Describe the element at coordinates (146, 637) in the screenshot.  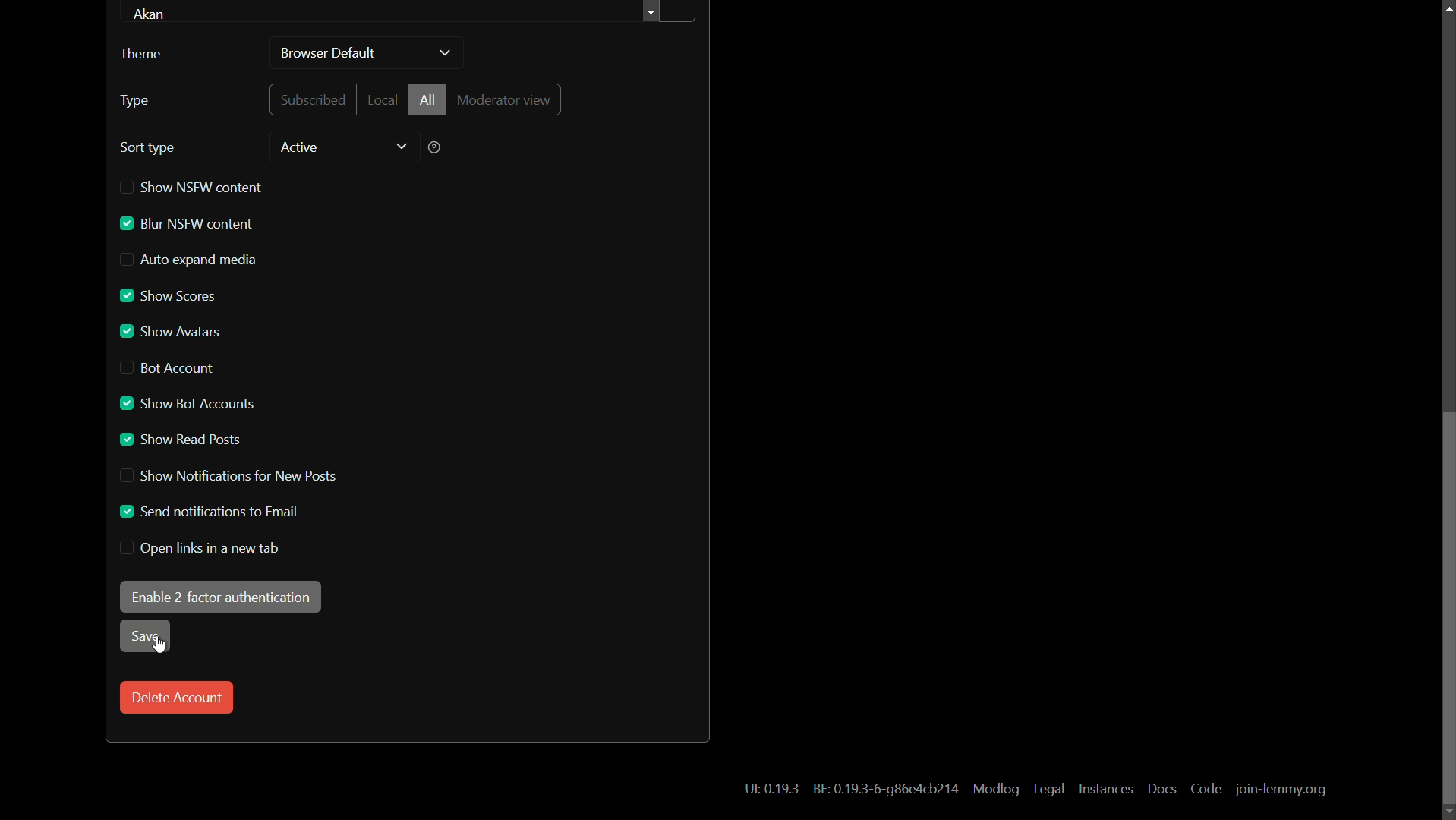
I see `save` at that location.